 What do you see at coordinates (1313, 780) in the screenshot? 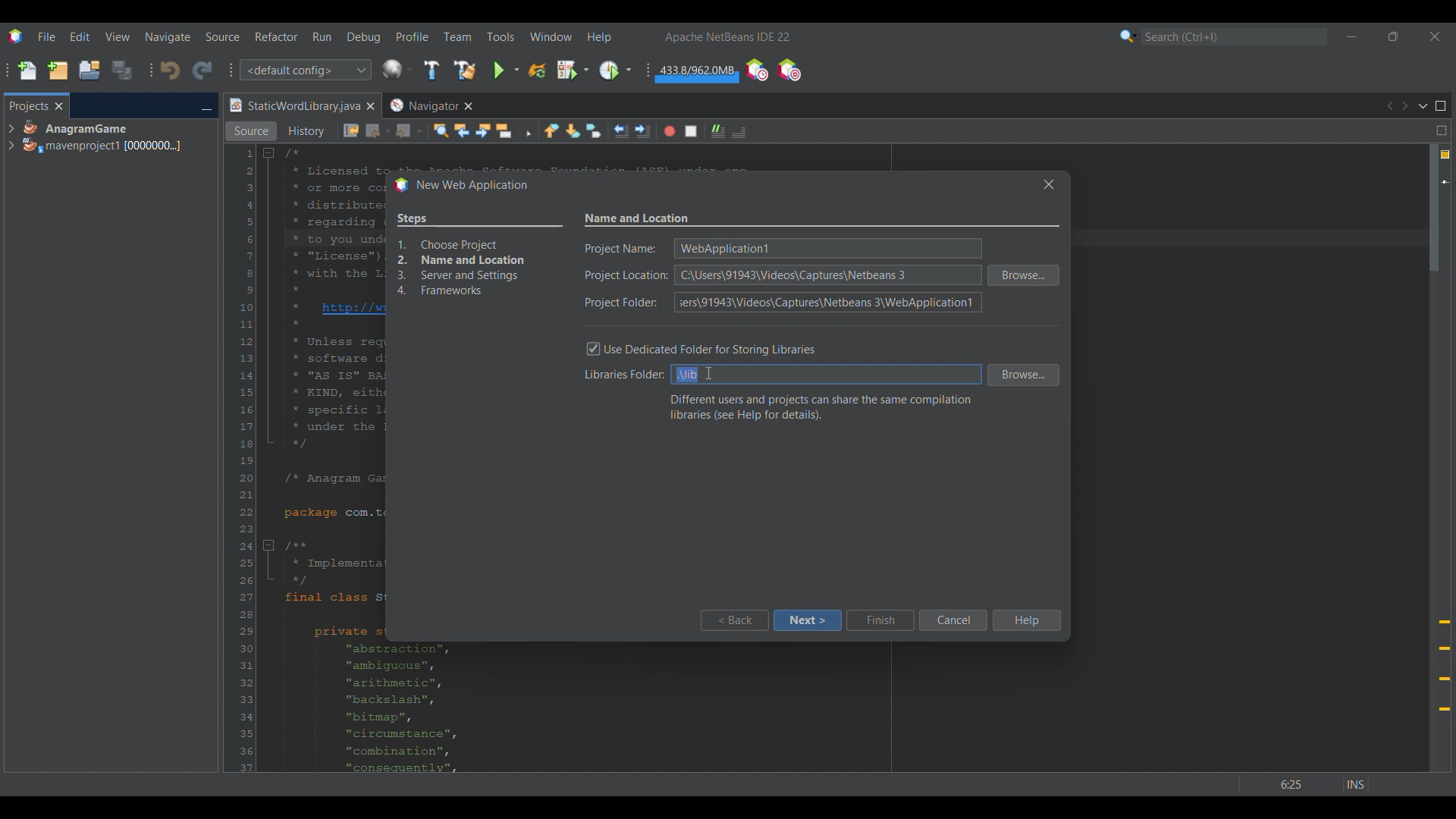
I see `` at bounding box center [1313, 780].